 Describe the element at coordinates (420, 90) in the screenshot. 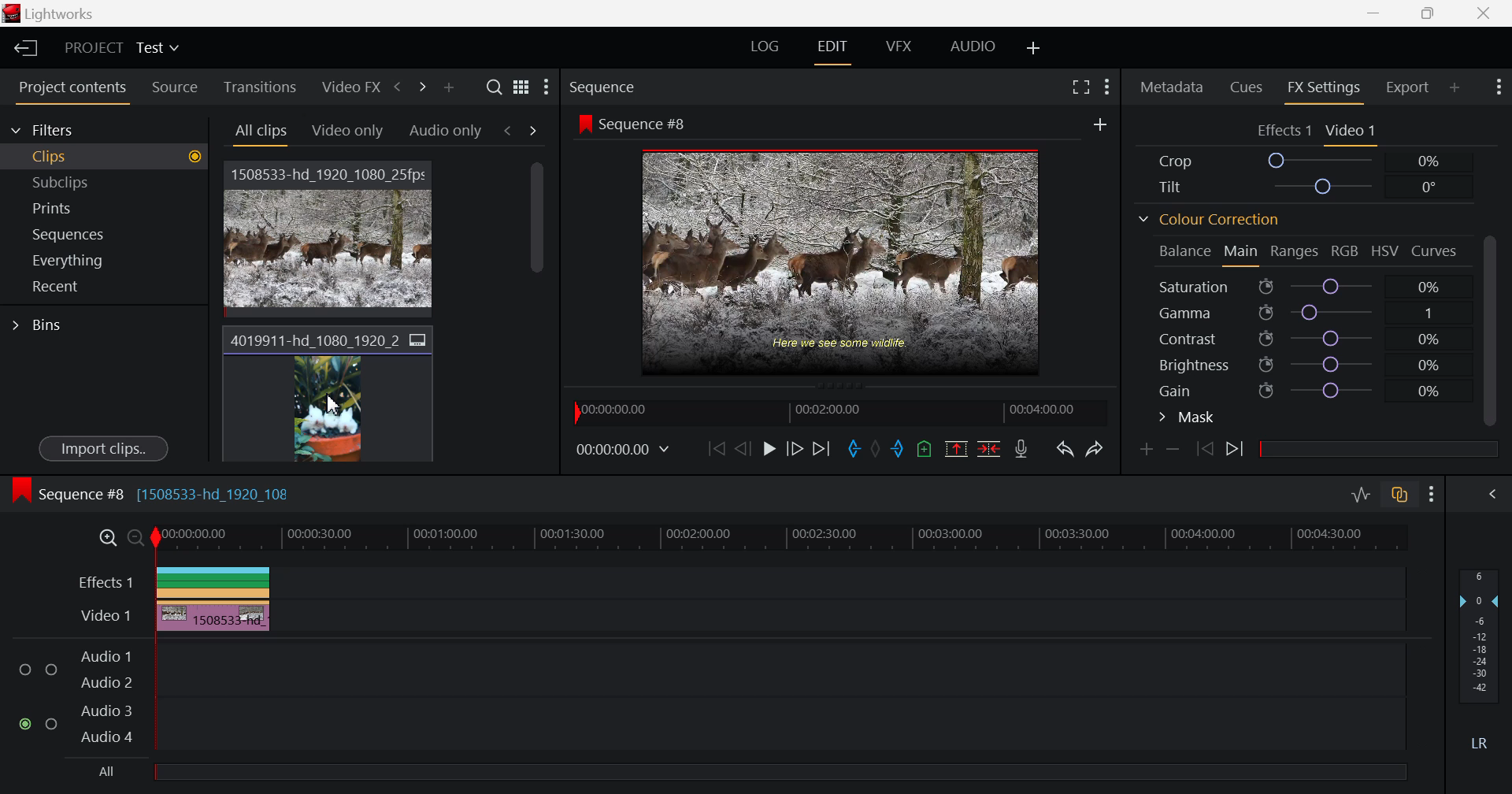

I see `Next Panel` at that location.